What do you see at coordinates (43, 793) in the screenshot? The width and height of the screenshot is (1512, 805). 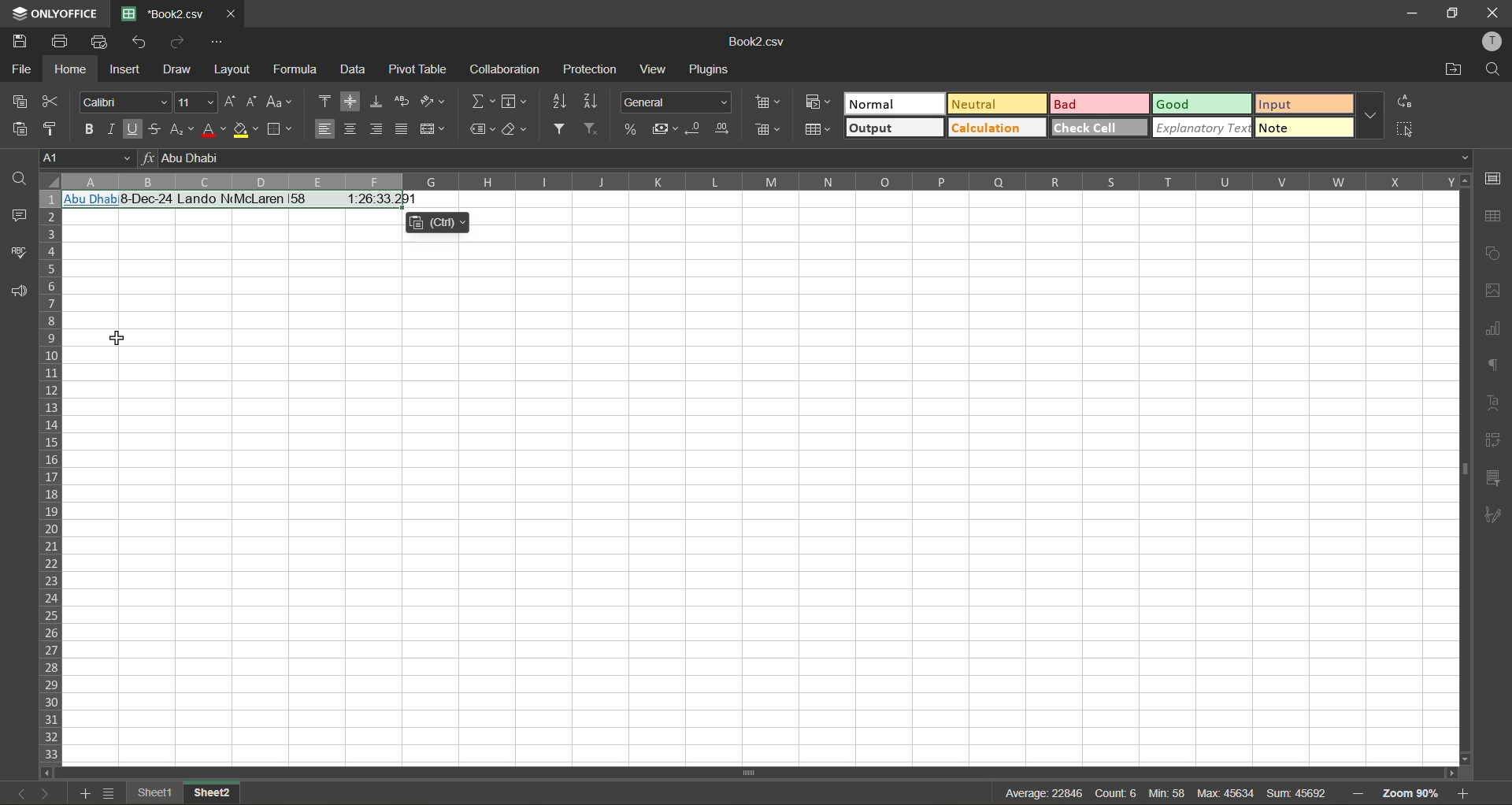 I see `next` at bounding box center [43, 793].